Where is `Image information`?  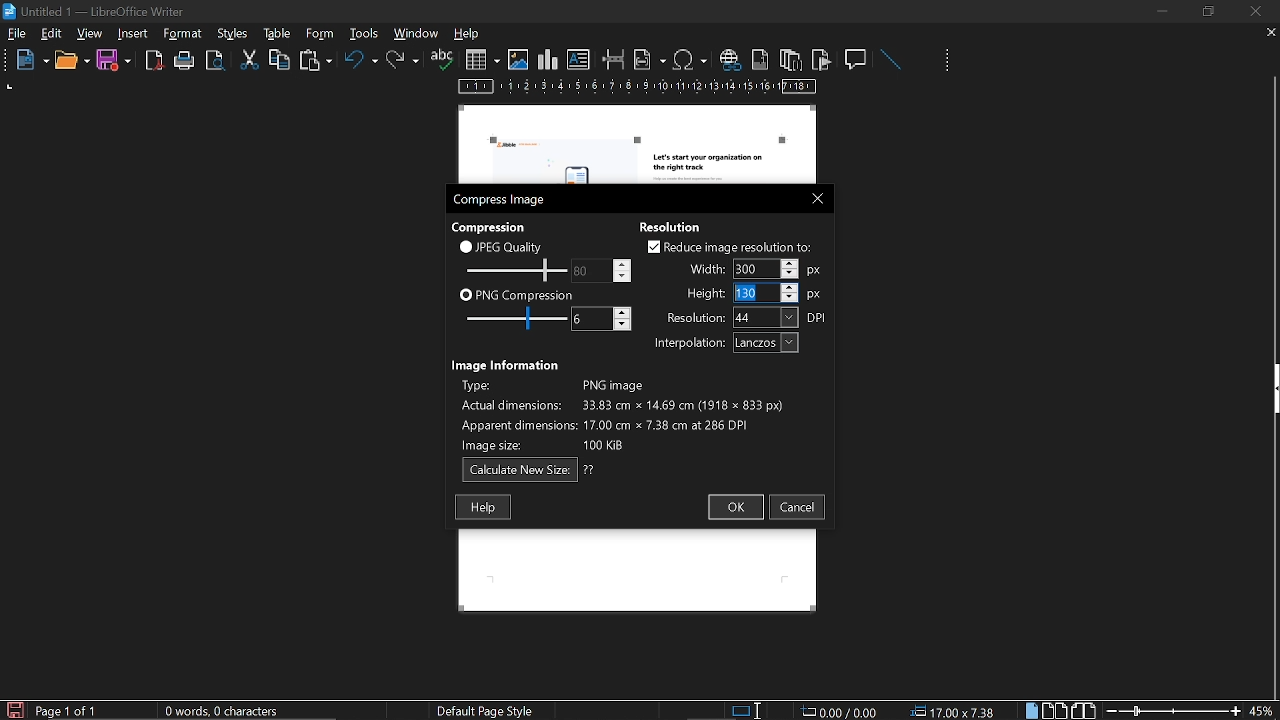 Image information is located at coordinates (508, 363).